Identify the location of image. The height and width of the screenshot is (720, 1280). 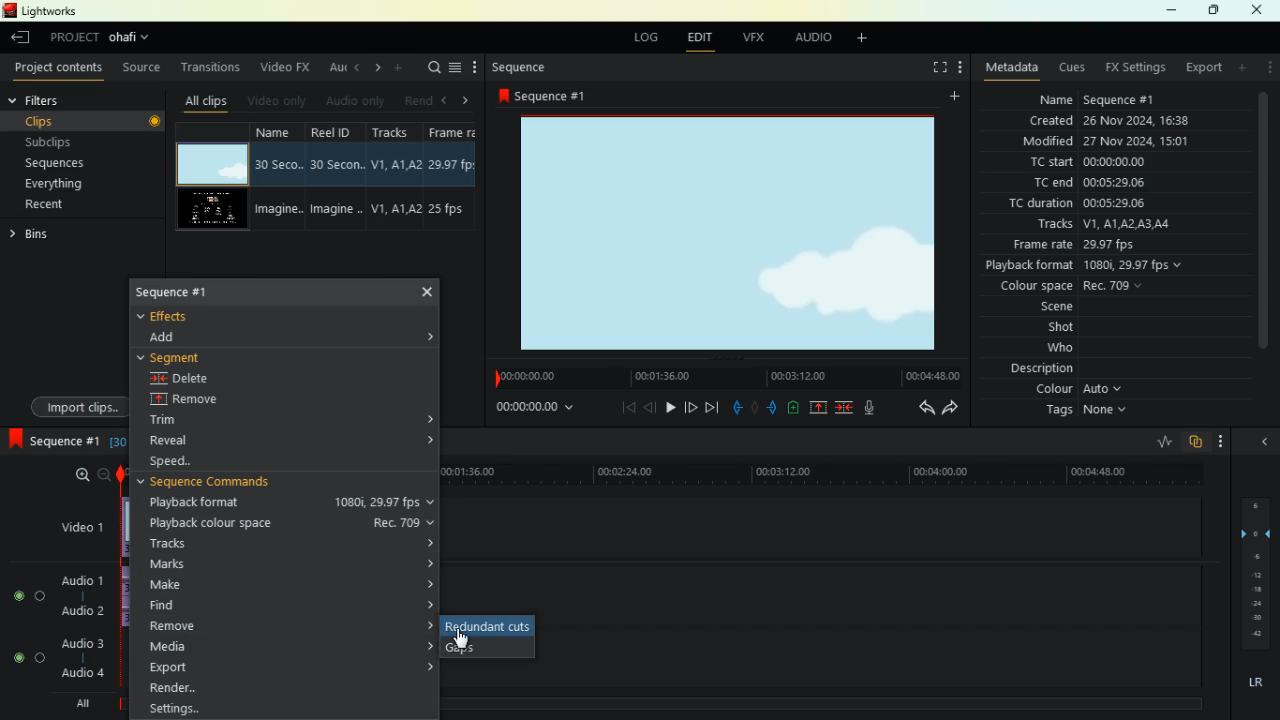
(734, 233).